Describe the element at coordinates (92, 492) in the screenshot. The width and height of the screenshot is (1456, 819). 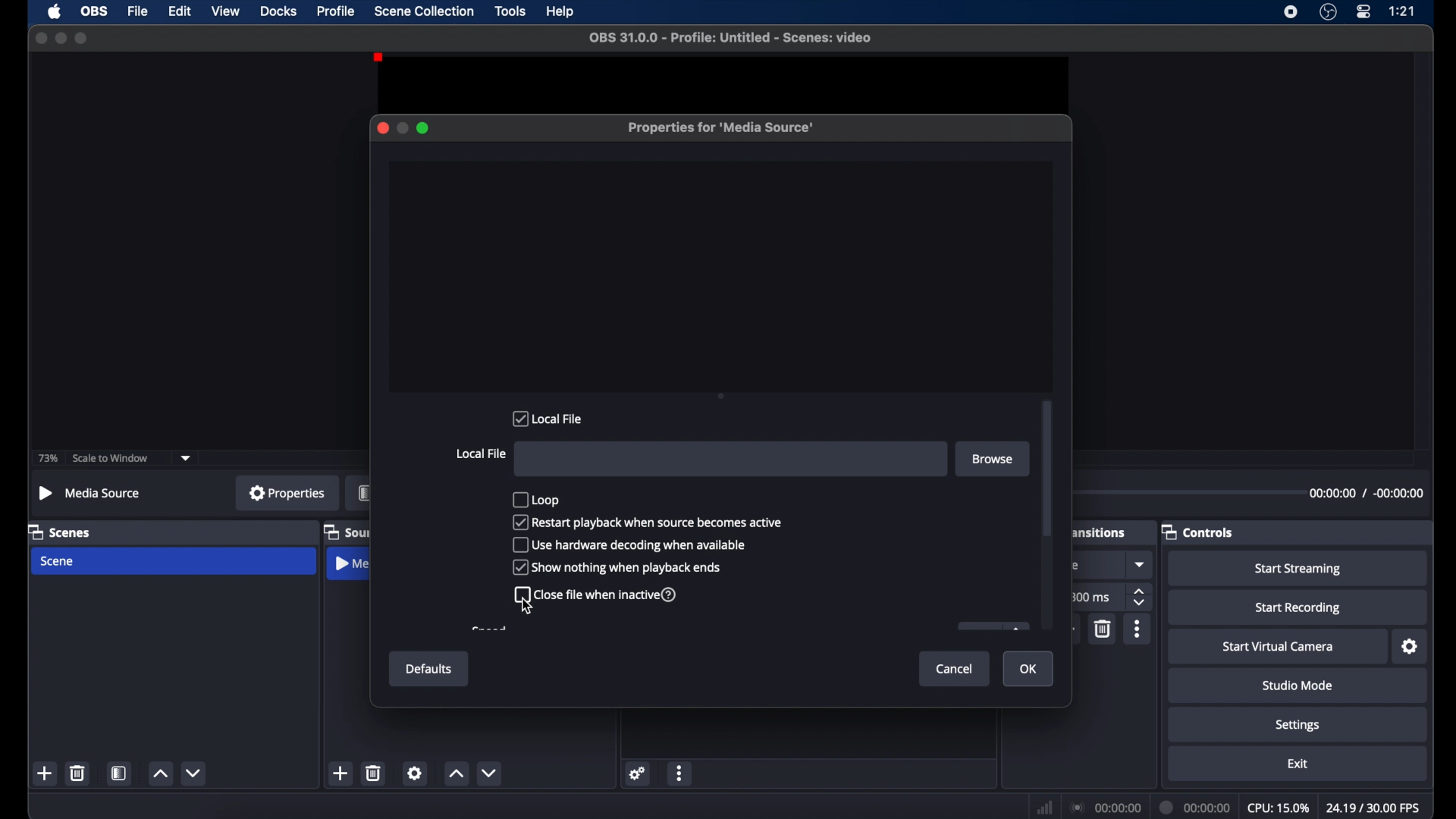
I see `no source selected` at that location.